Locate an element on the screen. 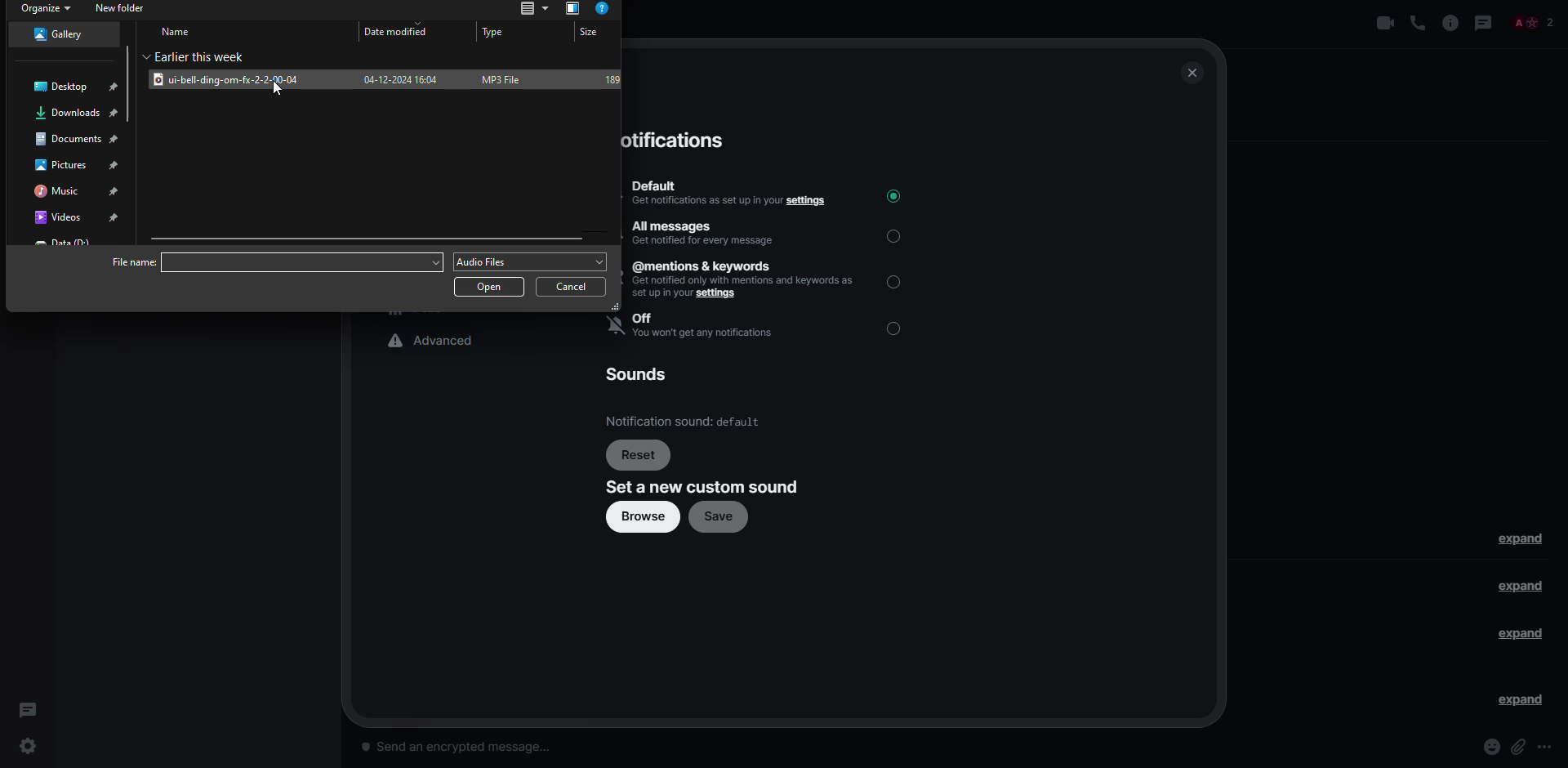  a Default
® Get notifications as set up in your settings is located at coordinates (732, 190).